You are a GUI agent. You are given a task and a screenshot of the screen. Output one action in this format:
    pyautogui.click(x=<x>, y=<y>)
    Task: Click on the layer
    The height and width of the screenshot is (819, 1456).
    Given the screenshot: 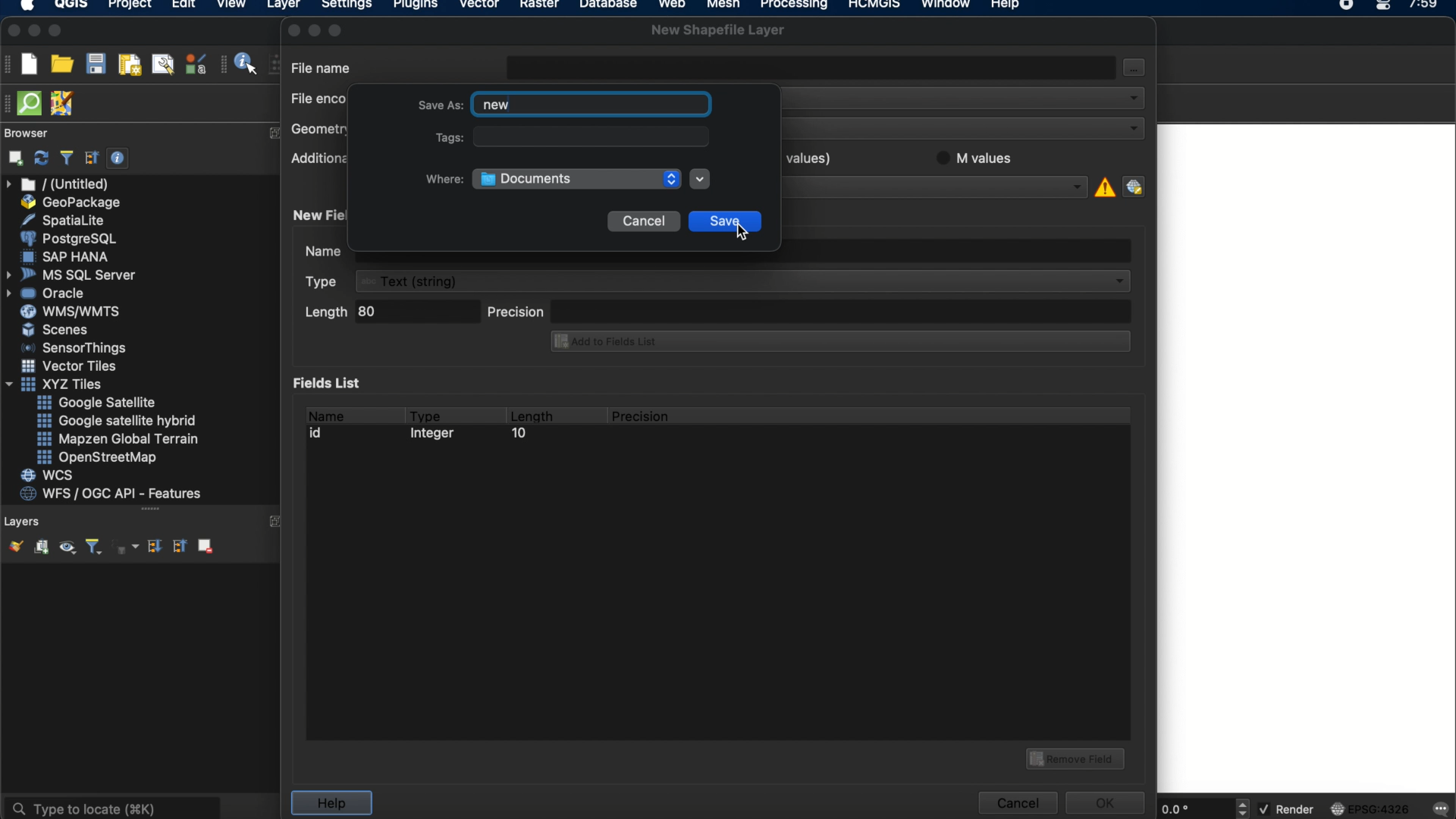 What is the action you would take?
    pyautogui.click(x=284, y=8)
    